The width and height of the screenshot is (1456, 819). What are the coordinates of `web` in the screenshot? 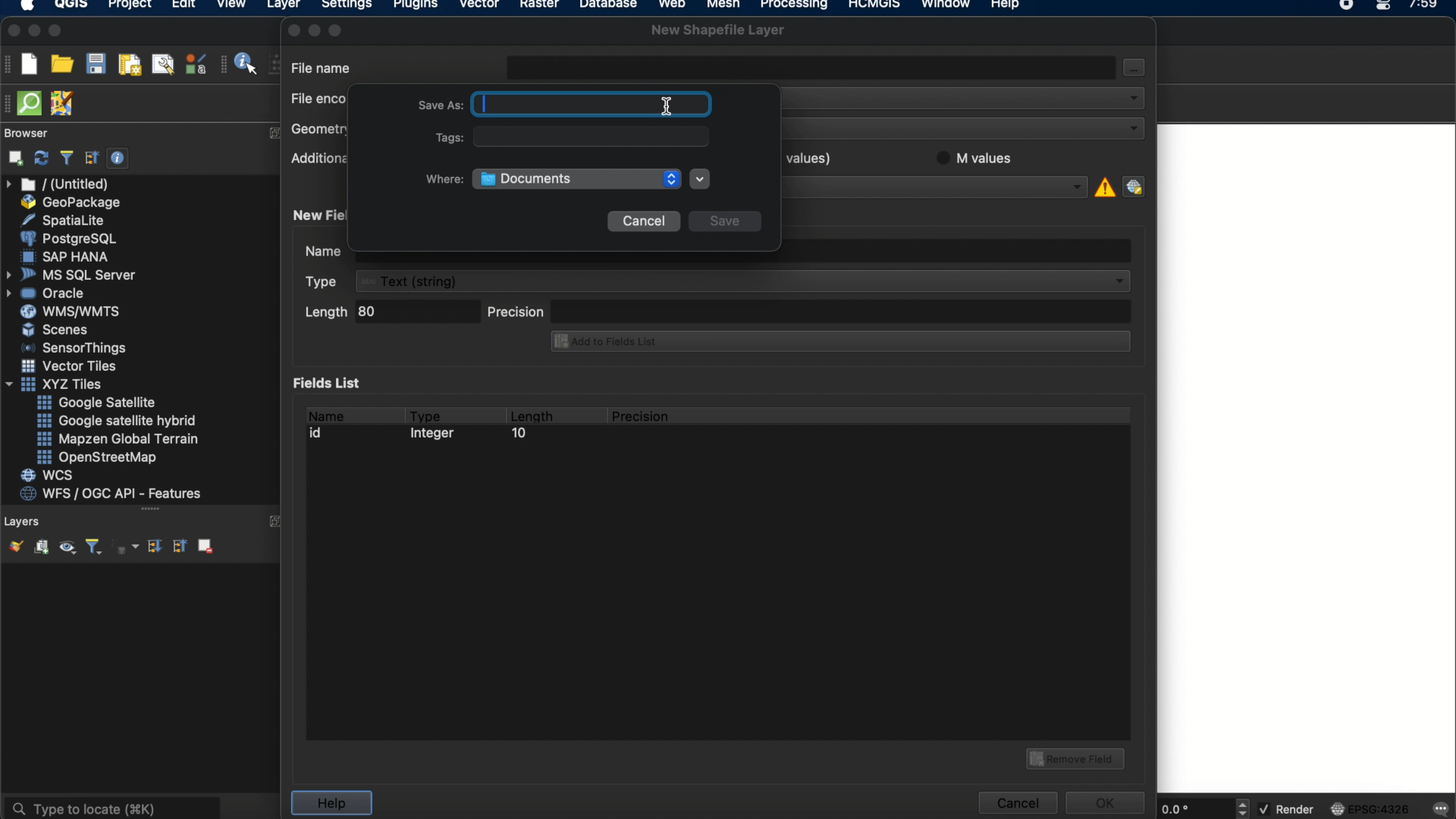 It's located at (673, 6).